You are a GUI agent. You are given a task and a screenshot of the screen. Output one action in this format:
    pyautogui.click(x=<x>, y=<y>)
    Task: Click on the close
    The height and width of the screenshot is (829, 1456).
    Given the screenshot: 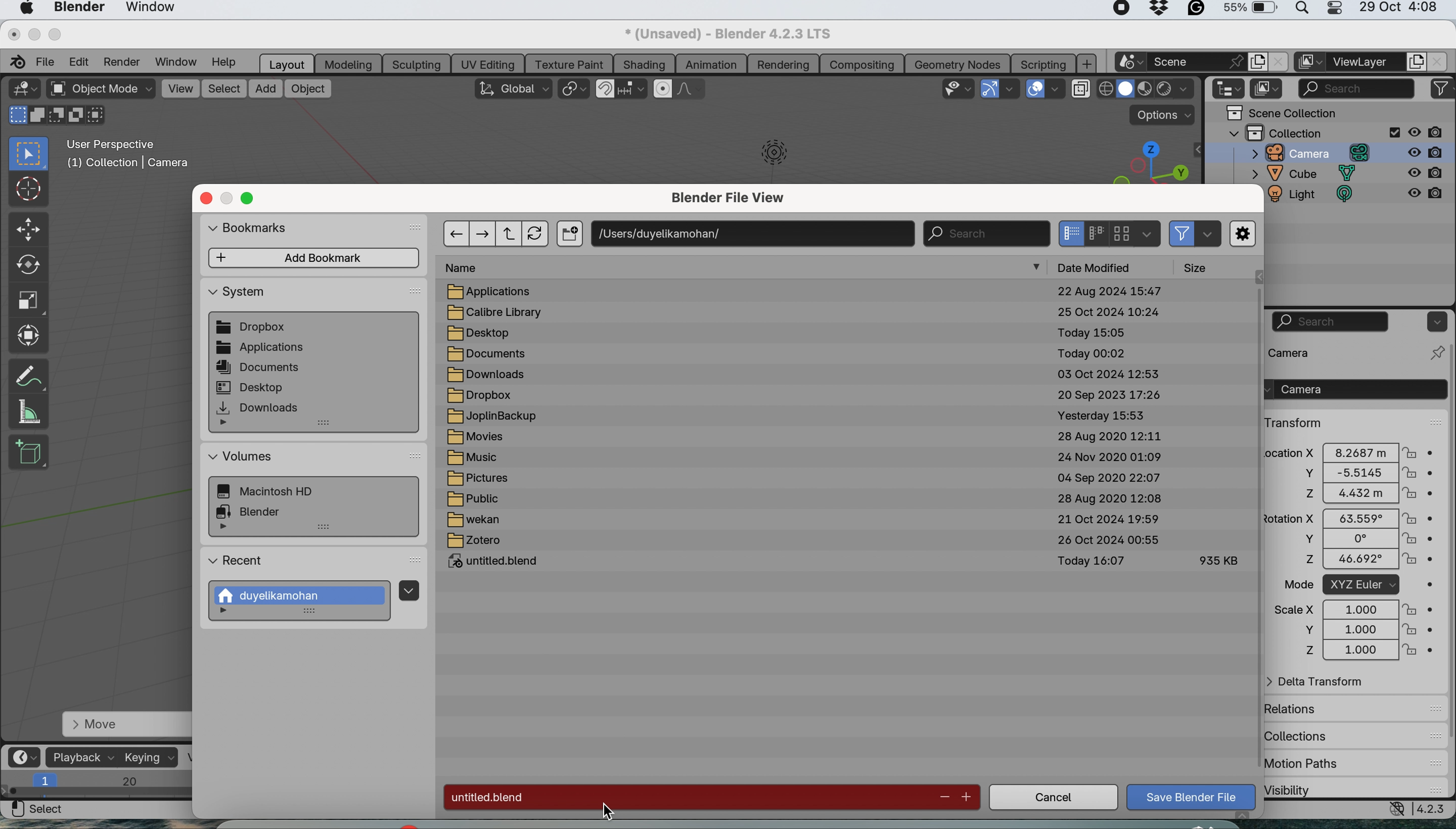 What is the action you would take?
    pyautogui.click(x=13, y=33)
    